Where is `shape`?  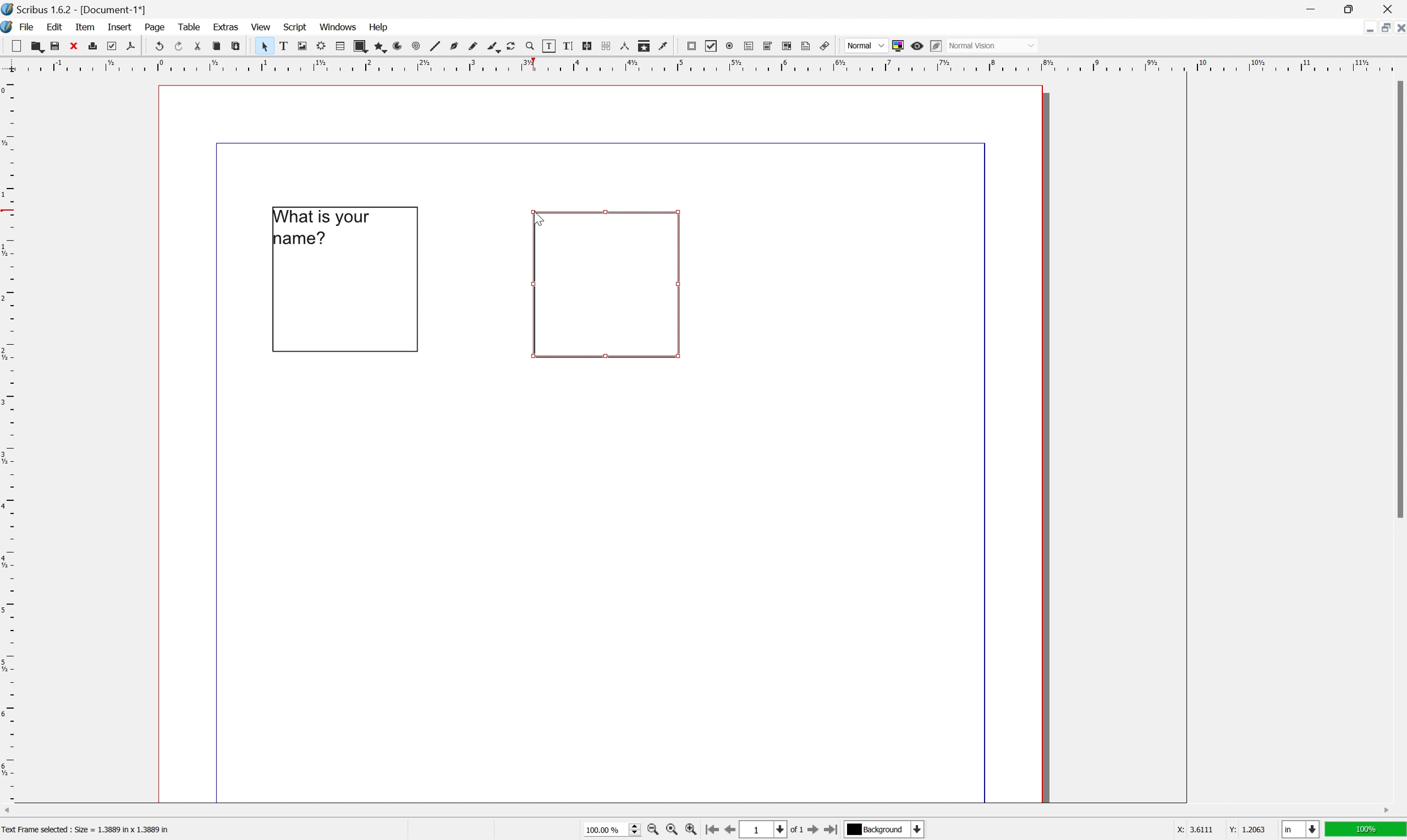 shape is located at coordinates (360, 46).